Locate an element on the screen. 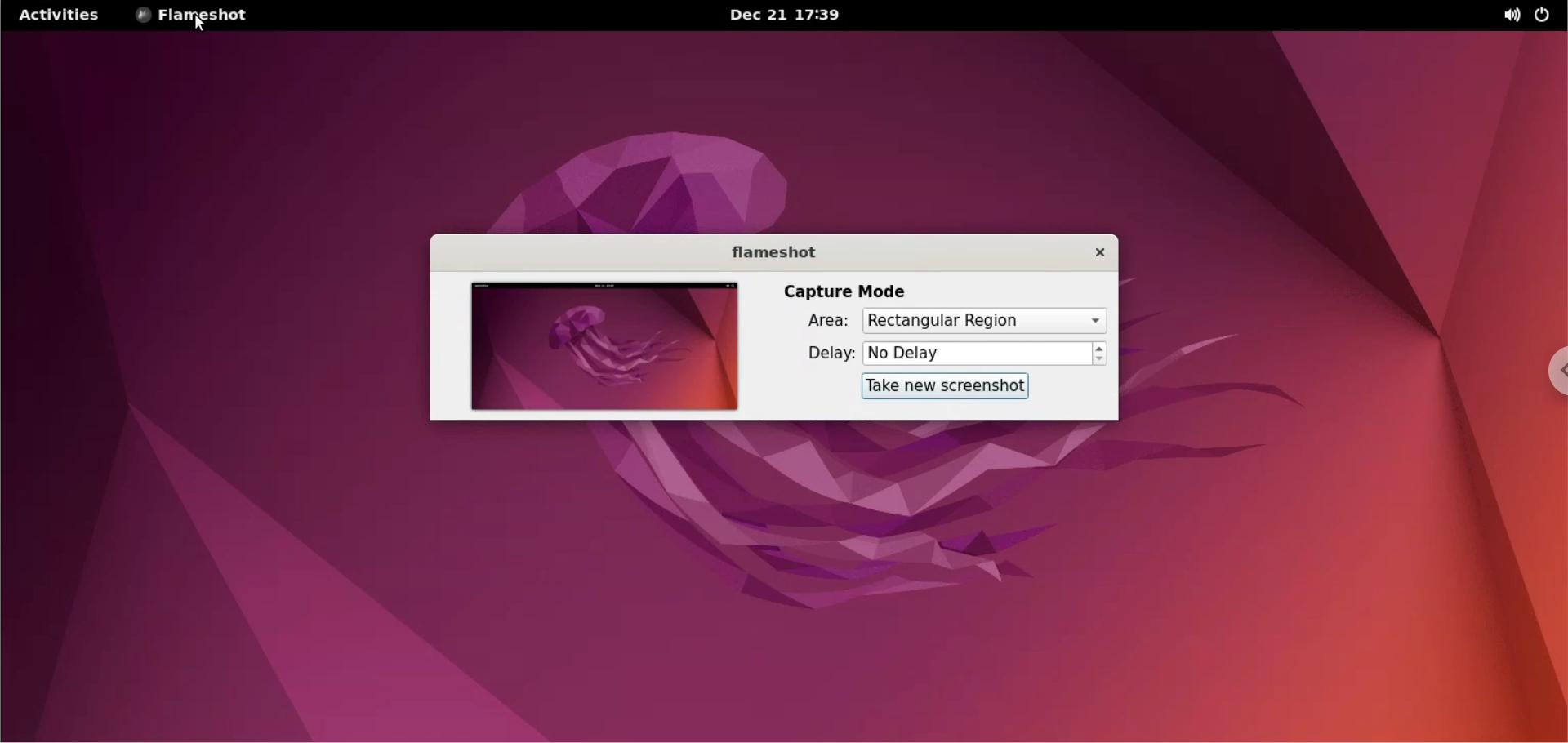 The width and height of the screenshot is (1568, 743). cursor is located at coordinates (203, 25).